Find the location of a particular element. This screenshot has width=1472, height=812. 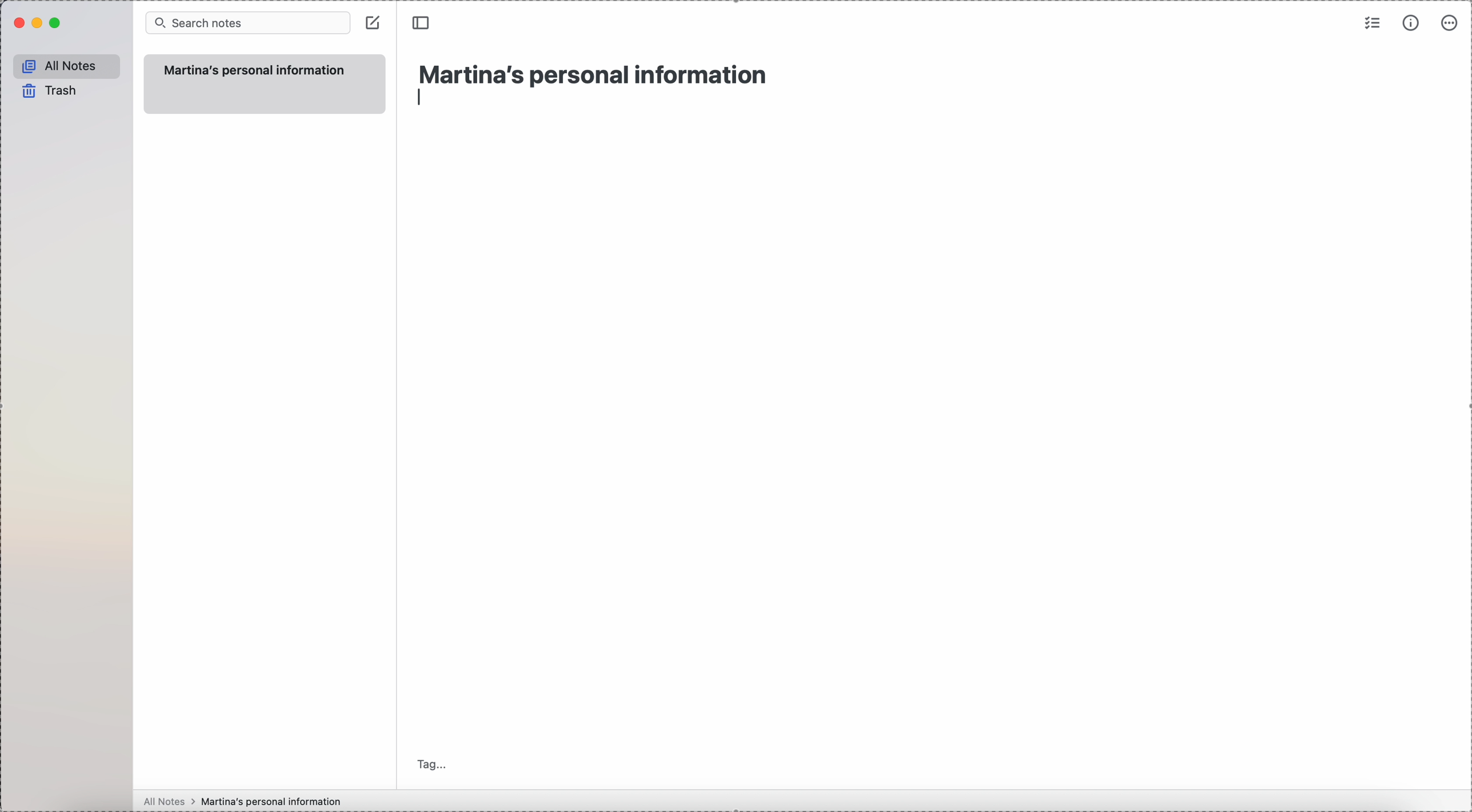

enter/line type is located at coordinates (419, 99).